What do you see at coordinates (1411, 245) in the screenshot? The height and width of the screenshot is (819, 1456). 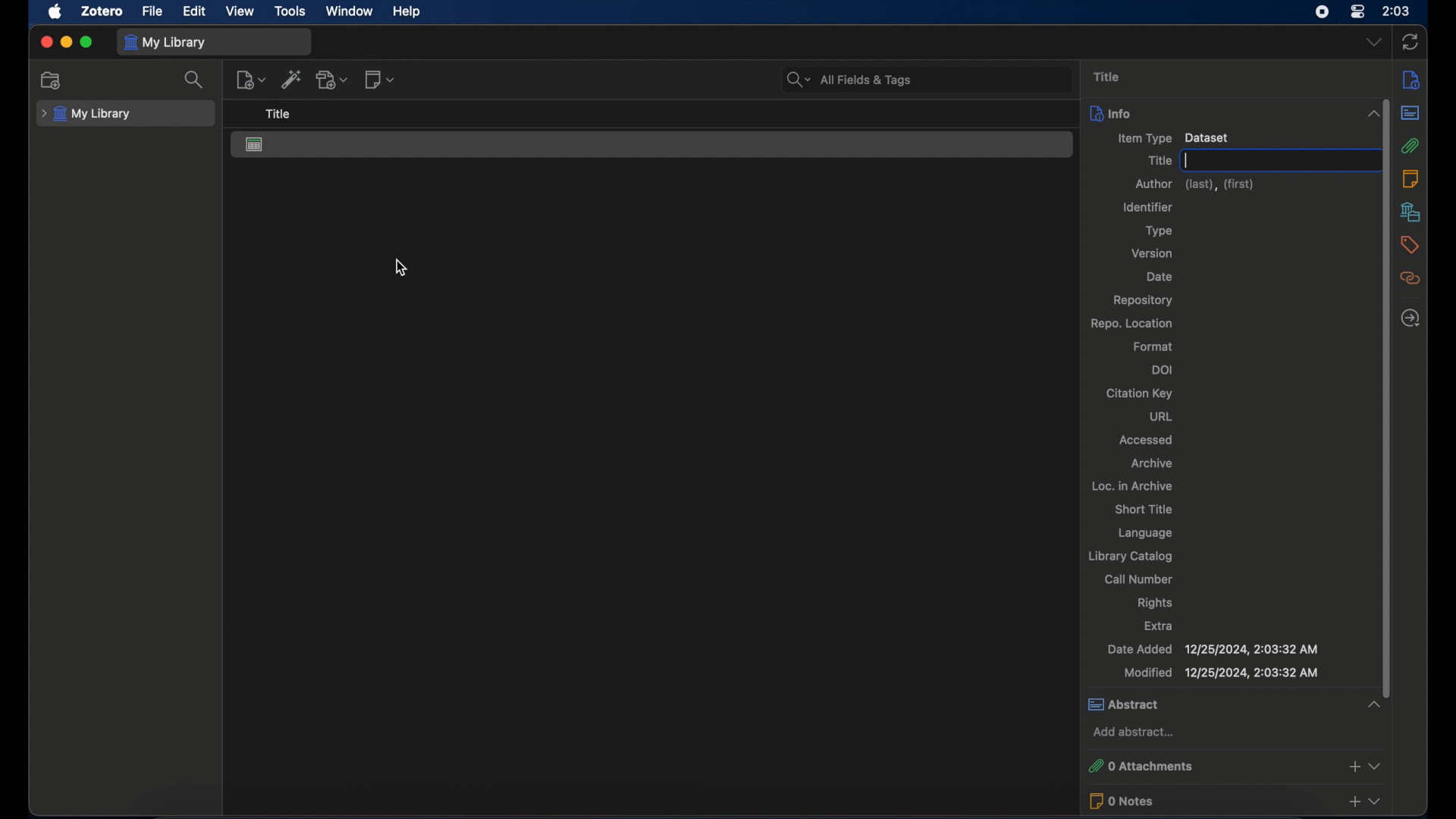 I see `tags` at bounding box center [1411, 245].